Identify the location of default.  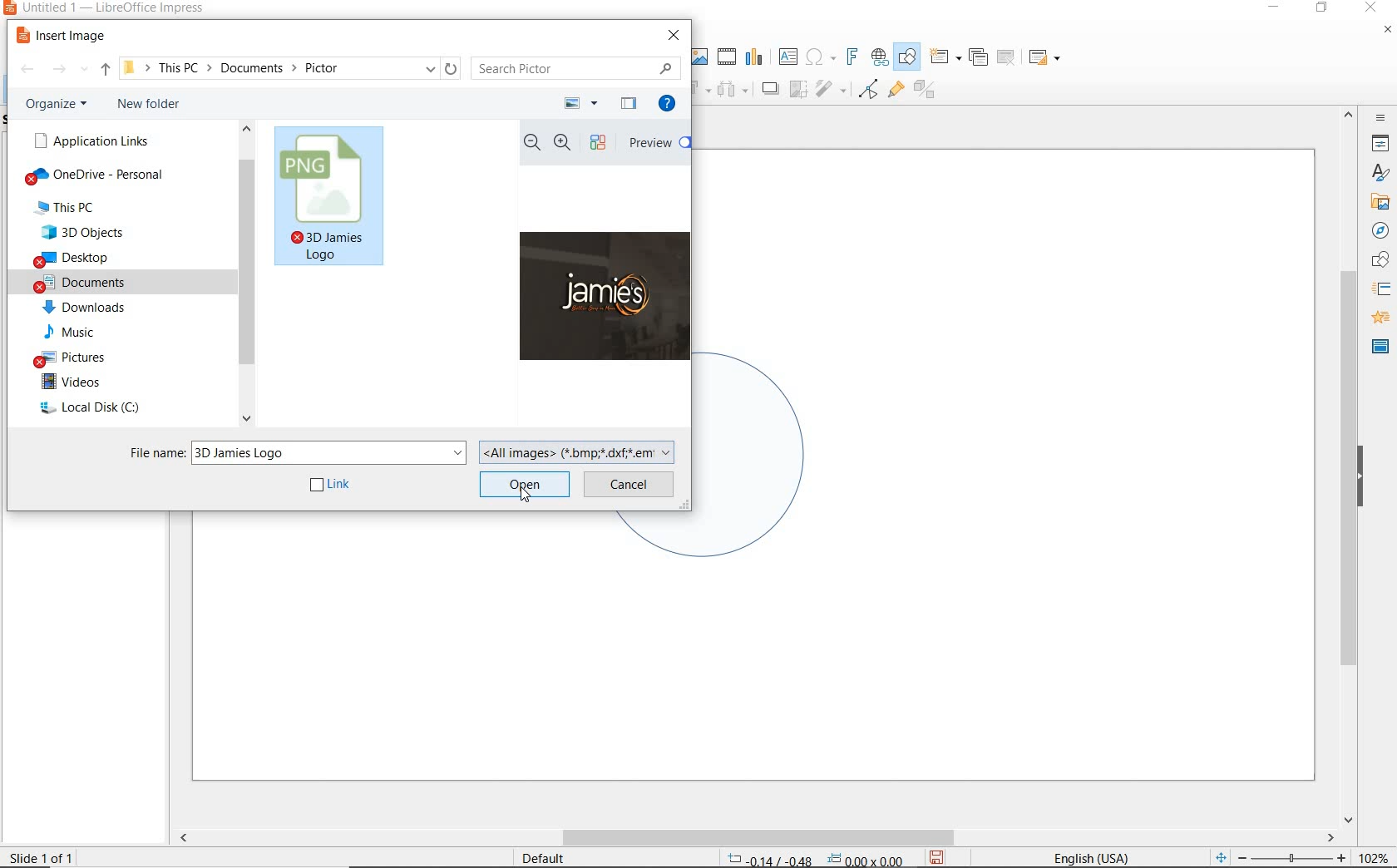
(532, 857).